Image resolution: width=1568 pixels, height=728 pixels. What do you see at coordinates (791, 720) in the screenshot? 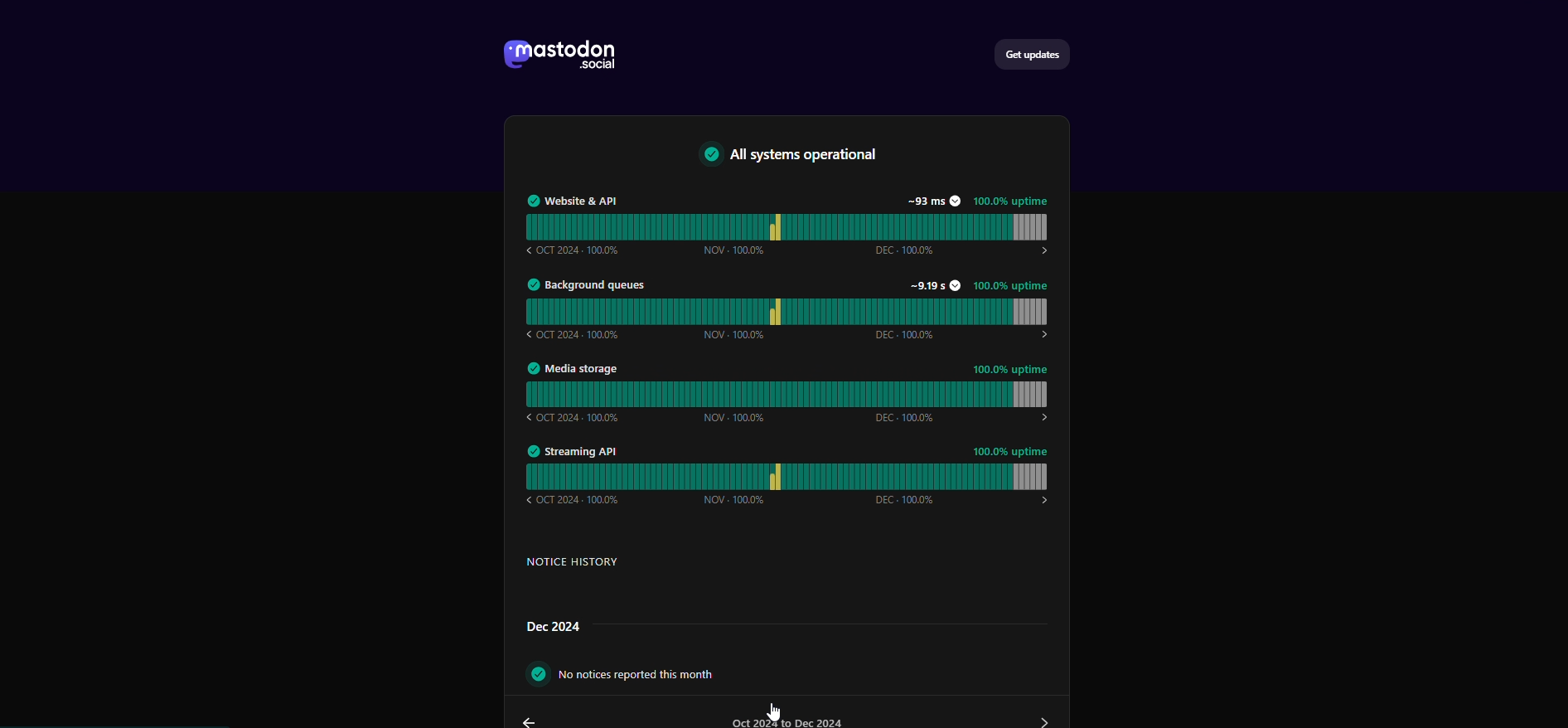
I see `period` at bounding box center [791, 720].